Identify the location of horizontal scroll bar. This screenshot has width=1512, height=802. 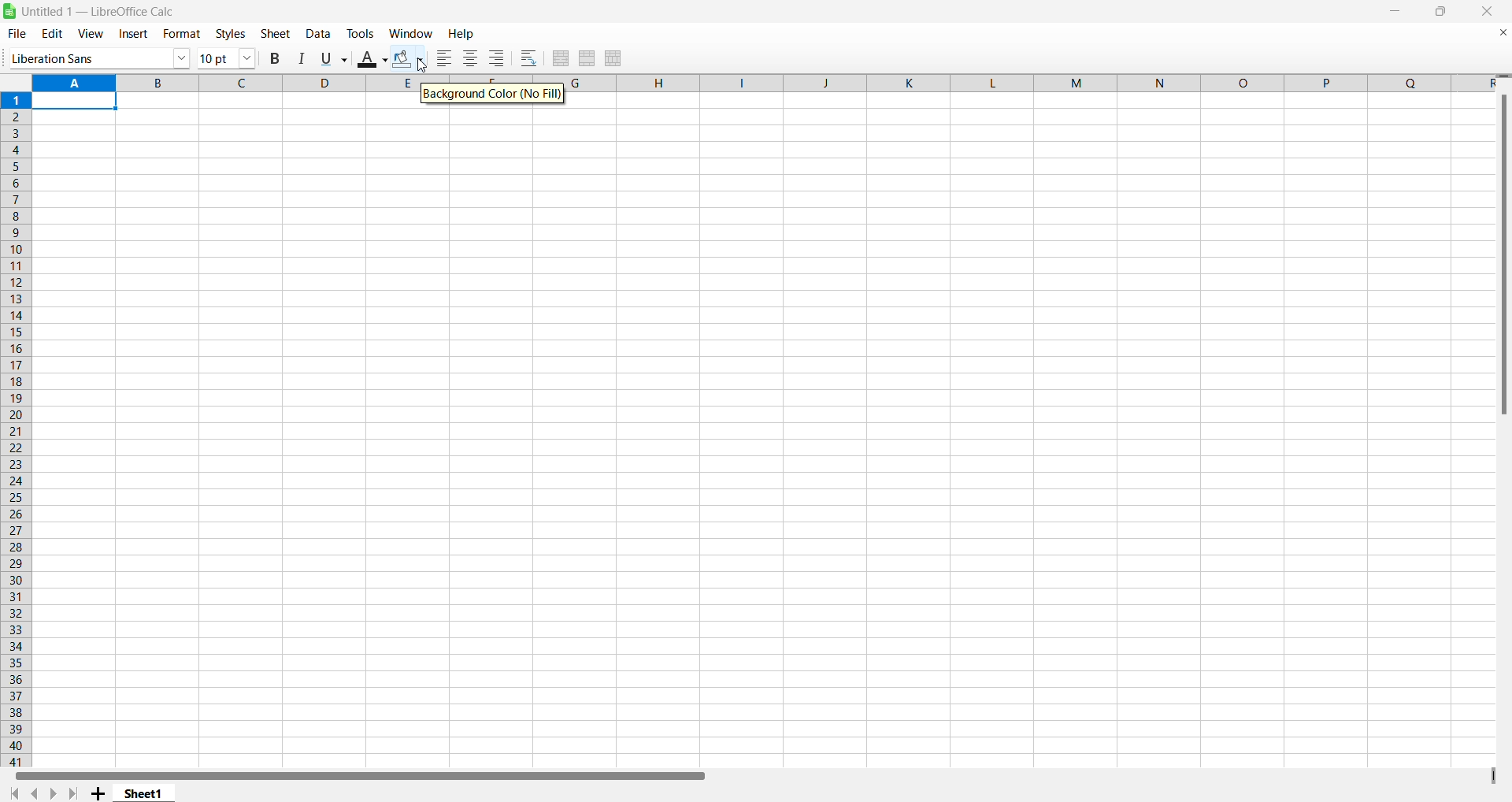
(361, 774).